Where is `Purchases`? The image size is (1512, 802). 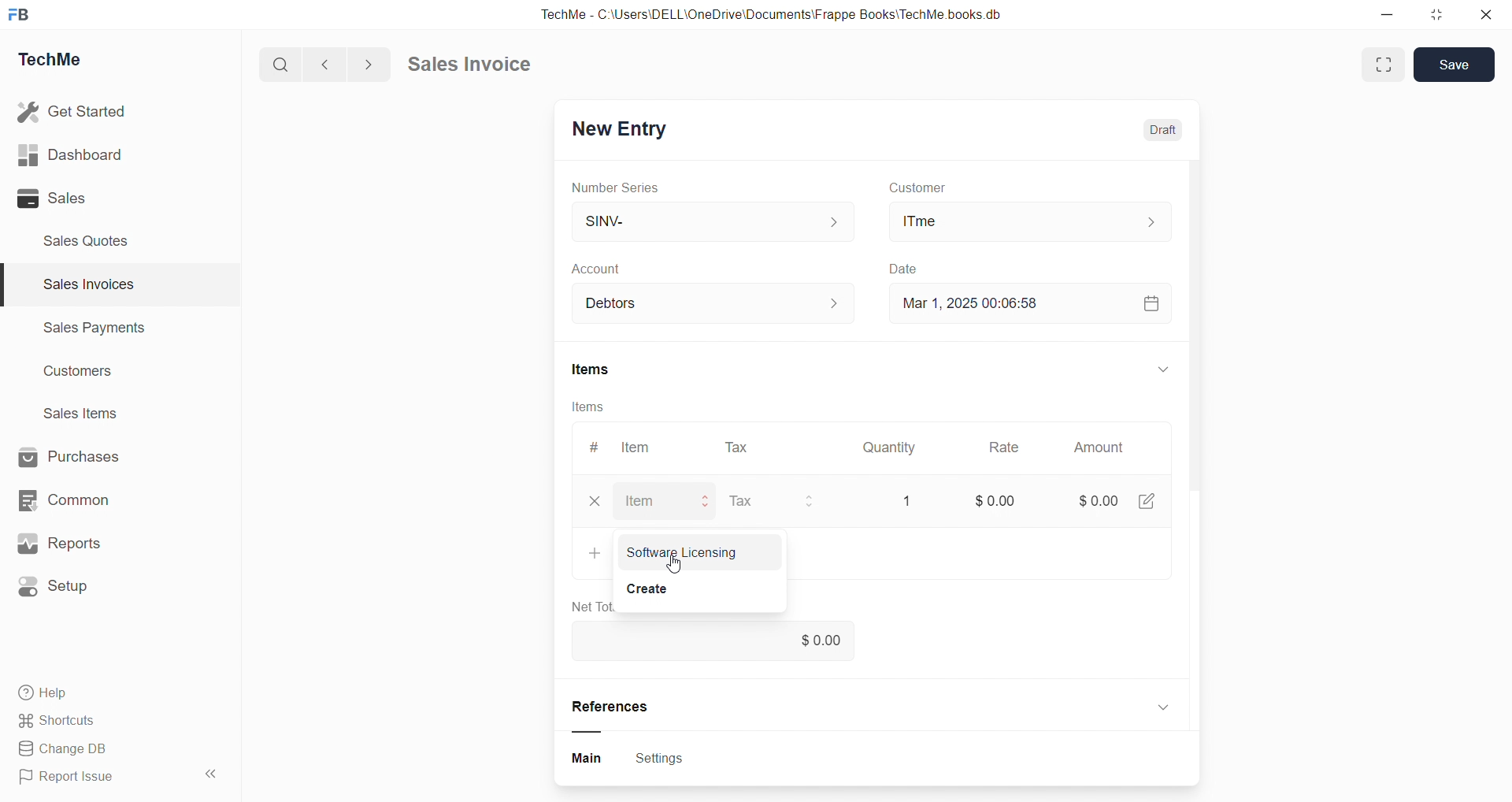 Purchases is located at coordinates (83, 455).